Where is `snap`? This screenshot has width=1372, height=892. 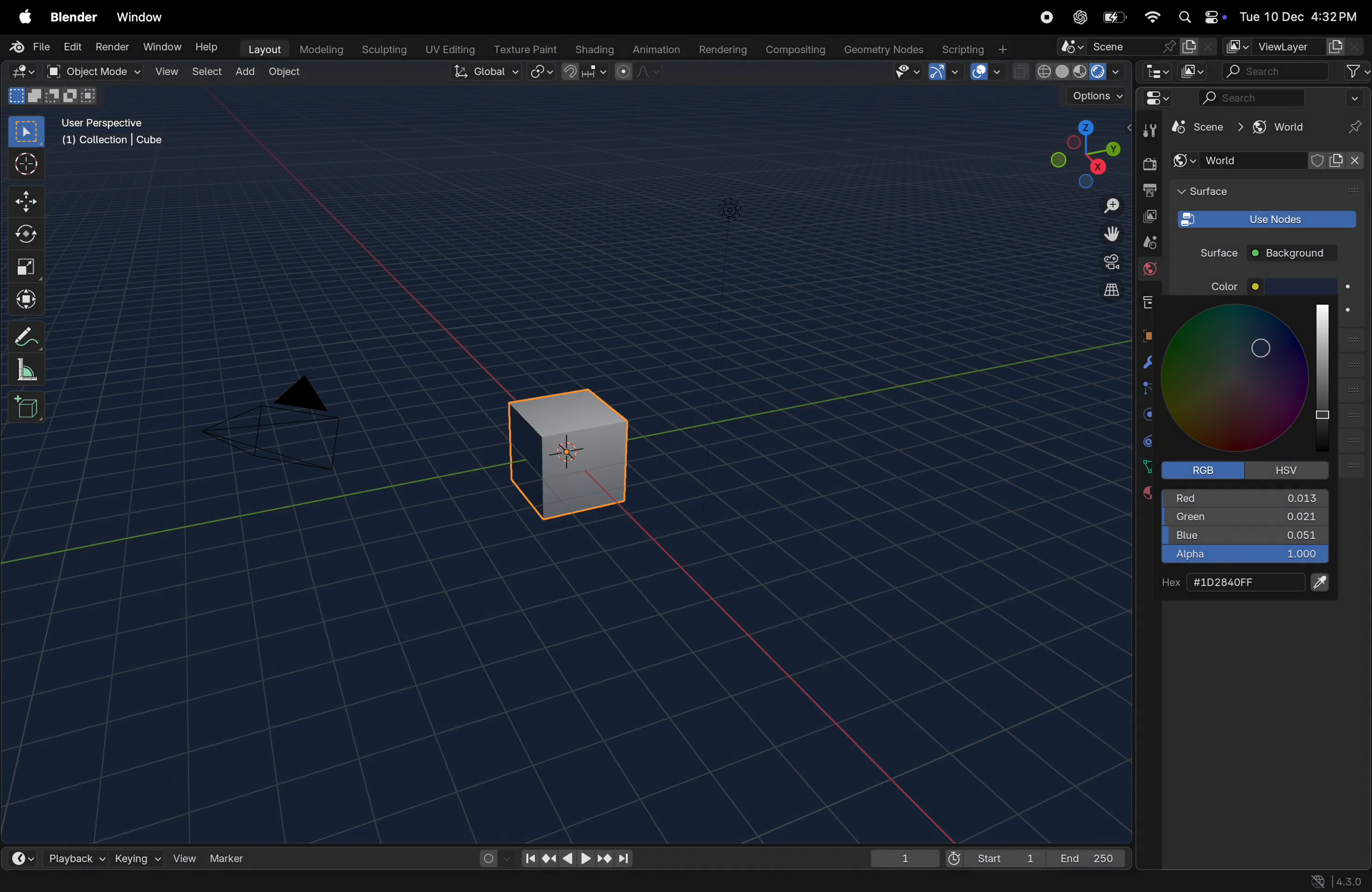 snap is located at coordinates (586, 73).